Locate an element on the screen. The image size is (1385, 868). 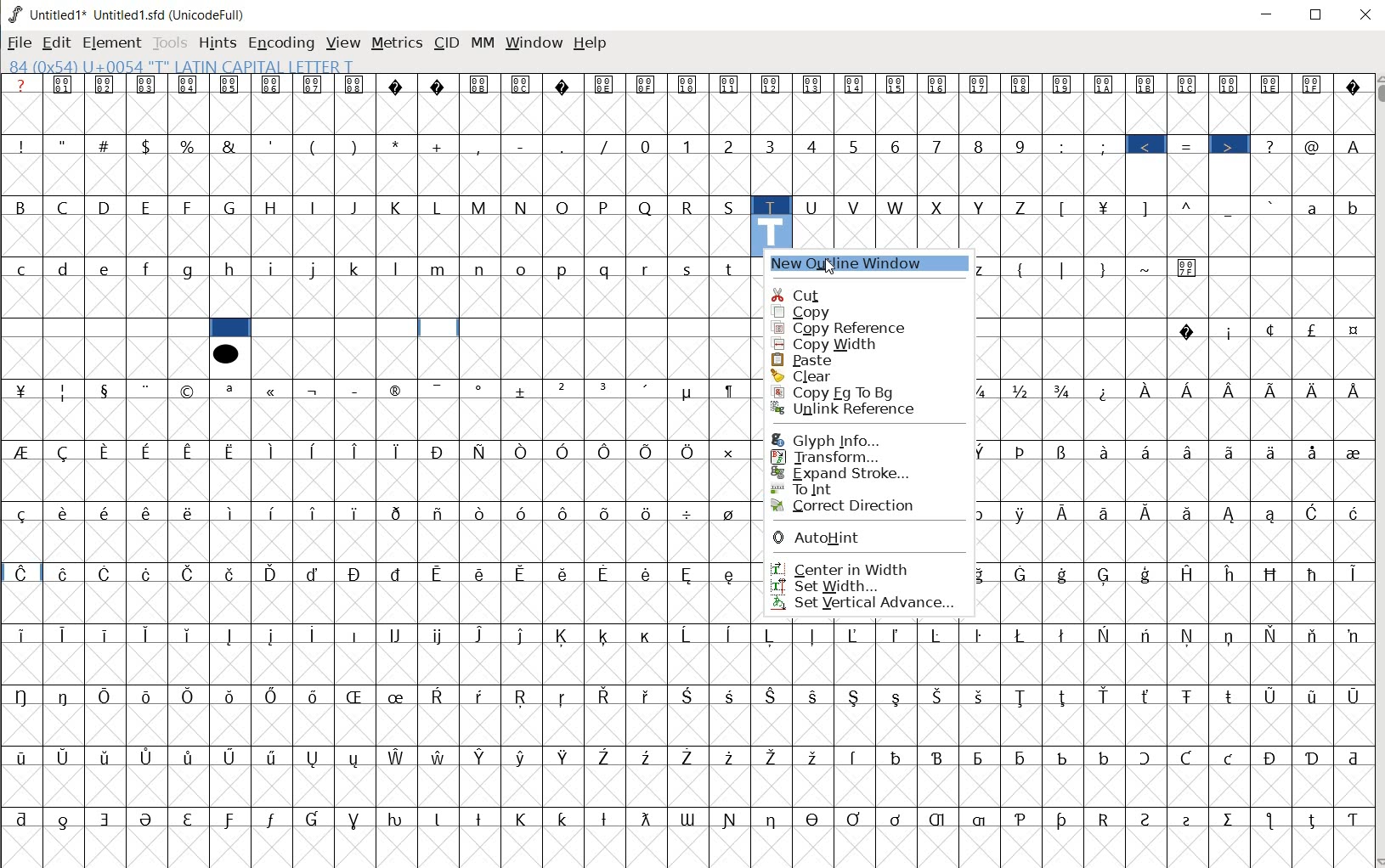
Symbol is located at coordinates (1230, 451).